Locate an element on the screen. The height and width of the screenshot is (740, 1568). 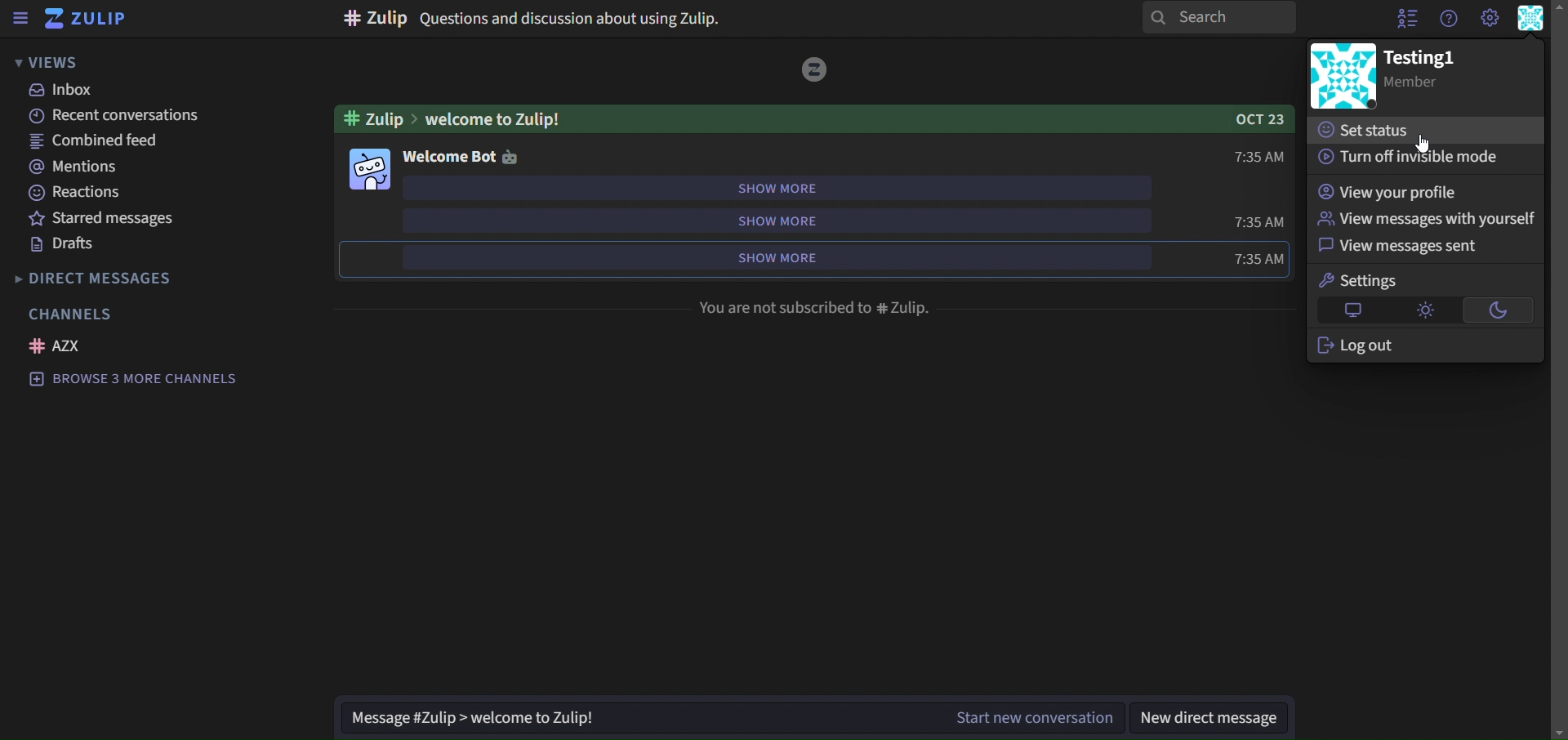
zulip is located at coordinates (87, 20).